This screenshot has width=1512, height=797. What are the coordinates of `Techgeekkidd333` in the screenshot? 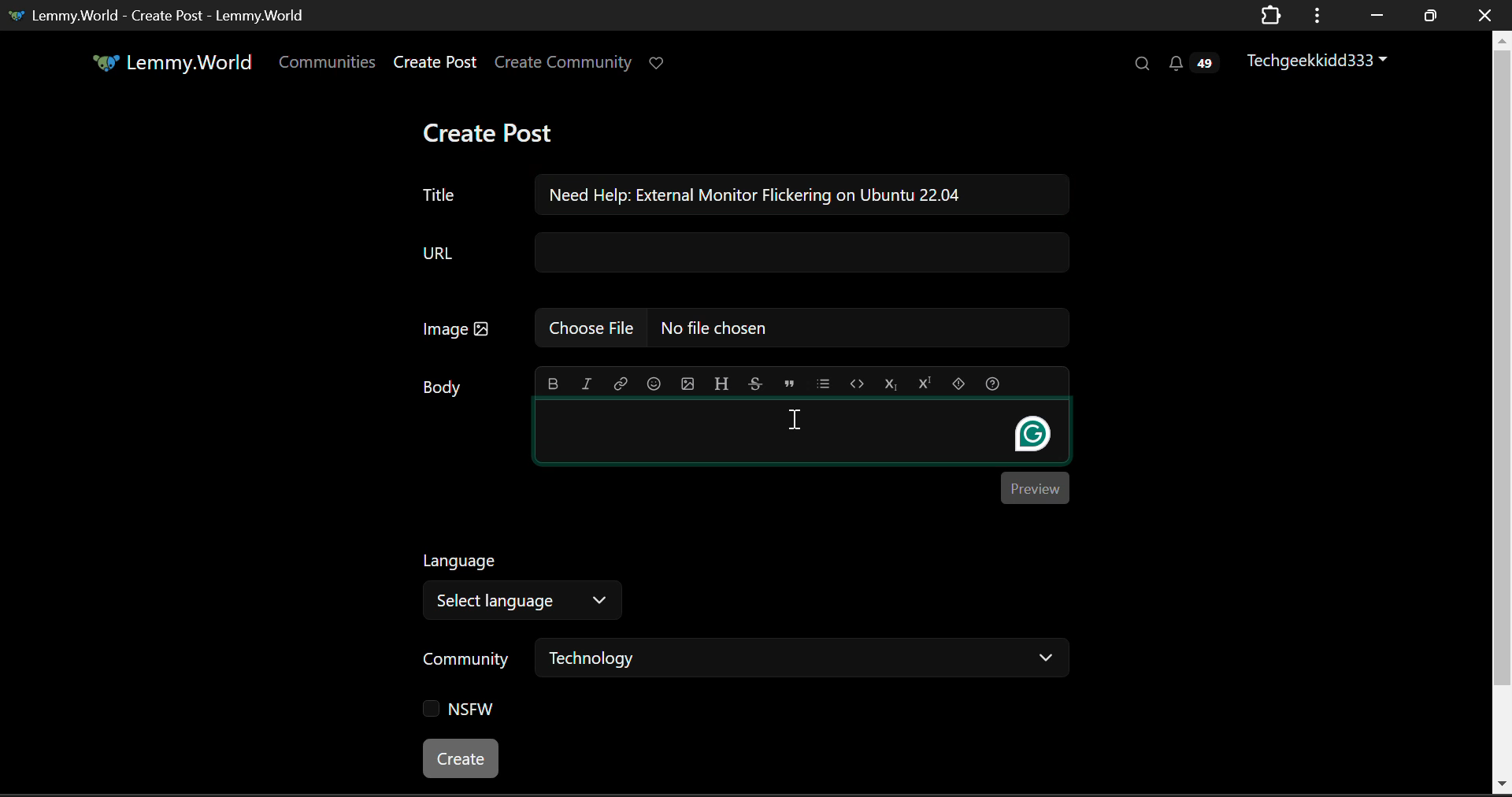 It's located at (1318, 58).